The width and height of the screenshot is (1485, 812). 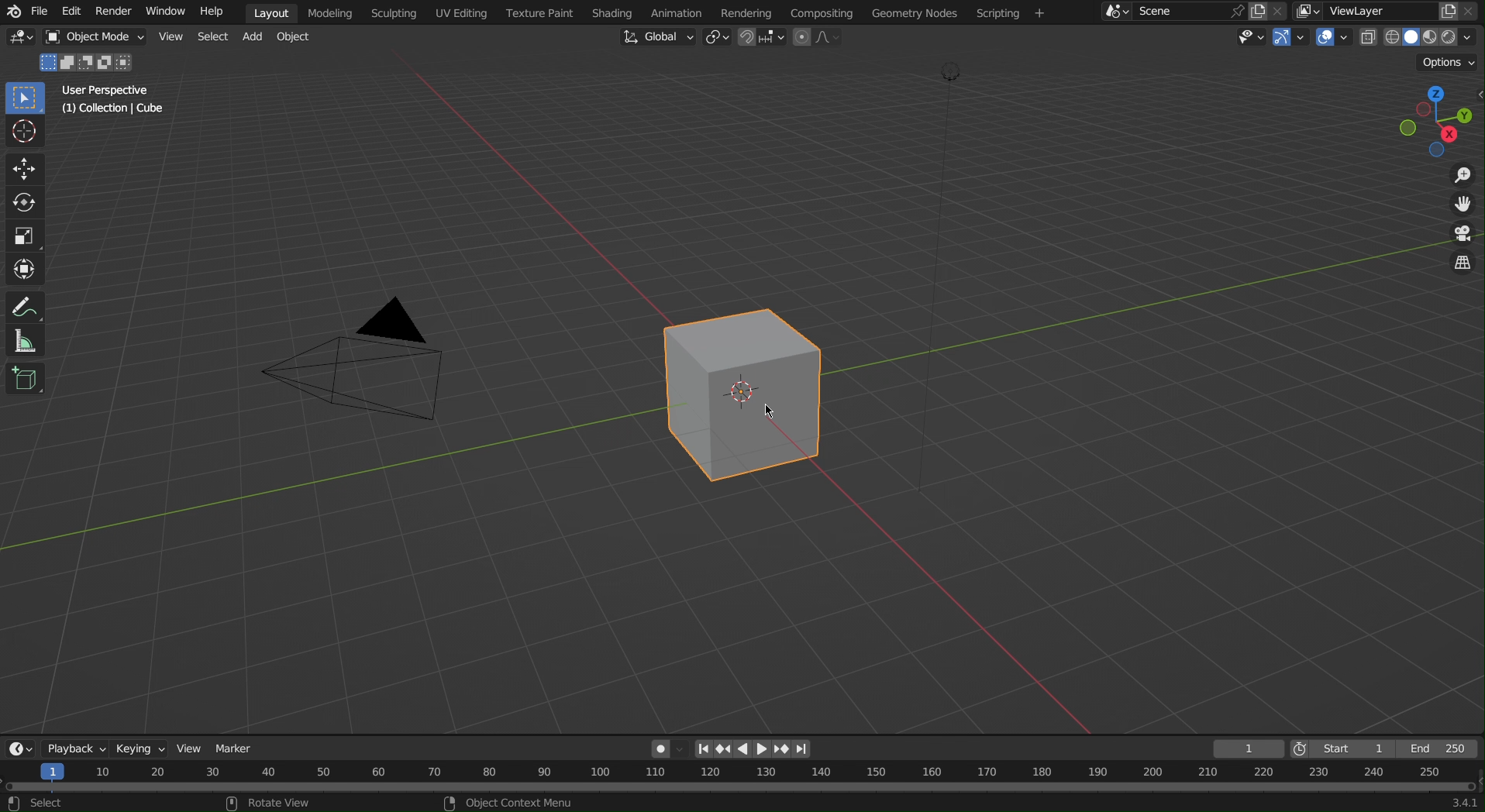 What do you see at coordinates (12, 9) in the screenshot?
I see `Blend logo` at bounding box center [12, 9].